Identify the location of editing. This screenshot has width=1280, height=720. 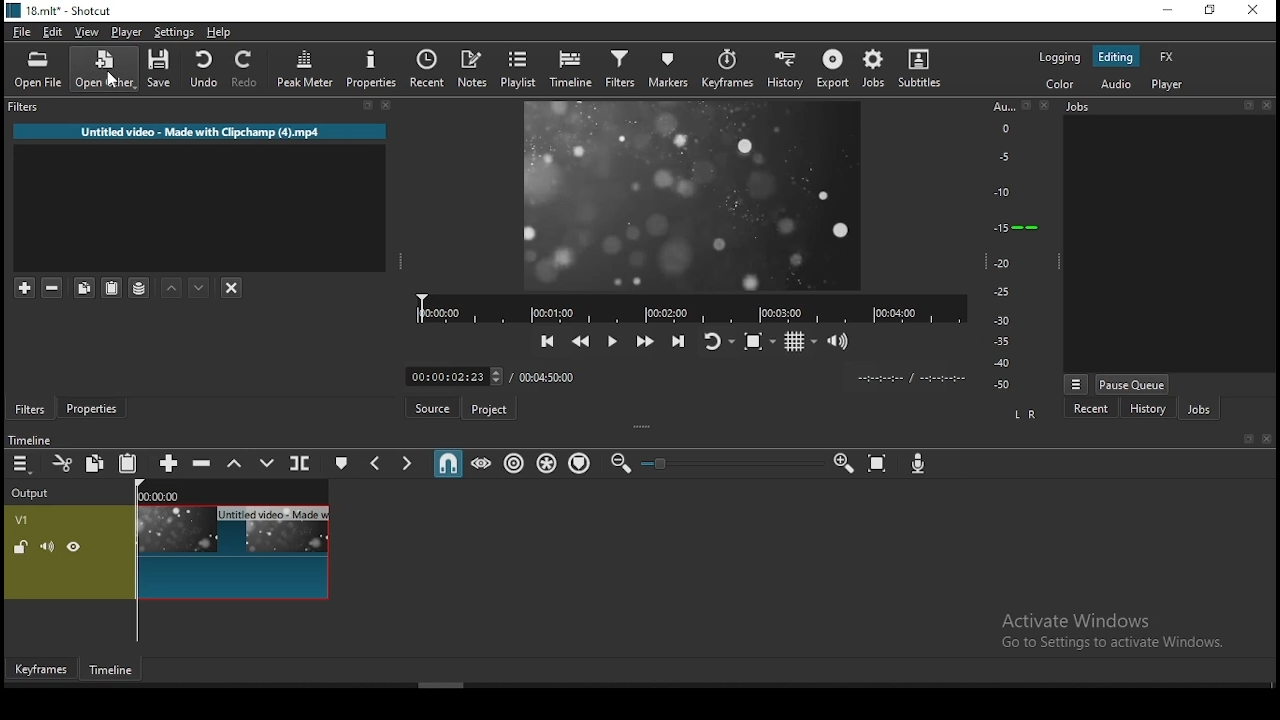
(1116, 56).